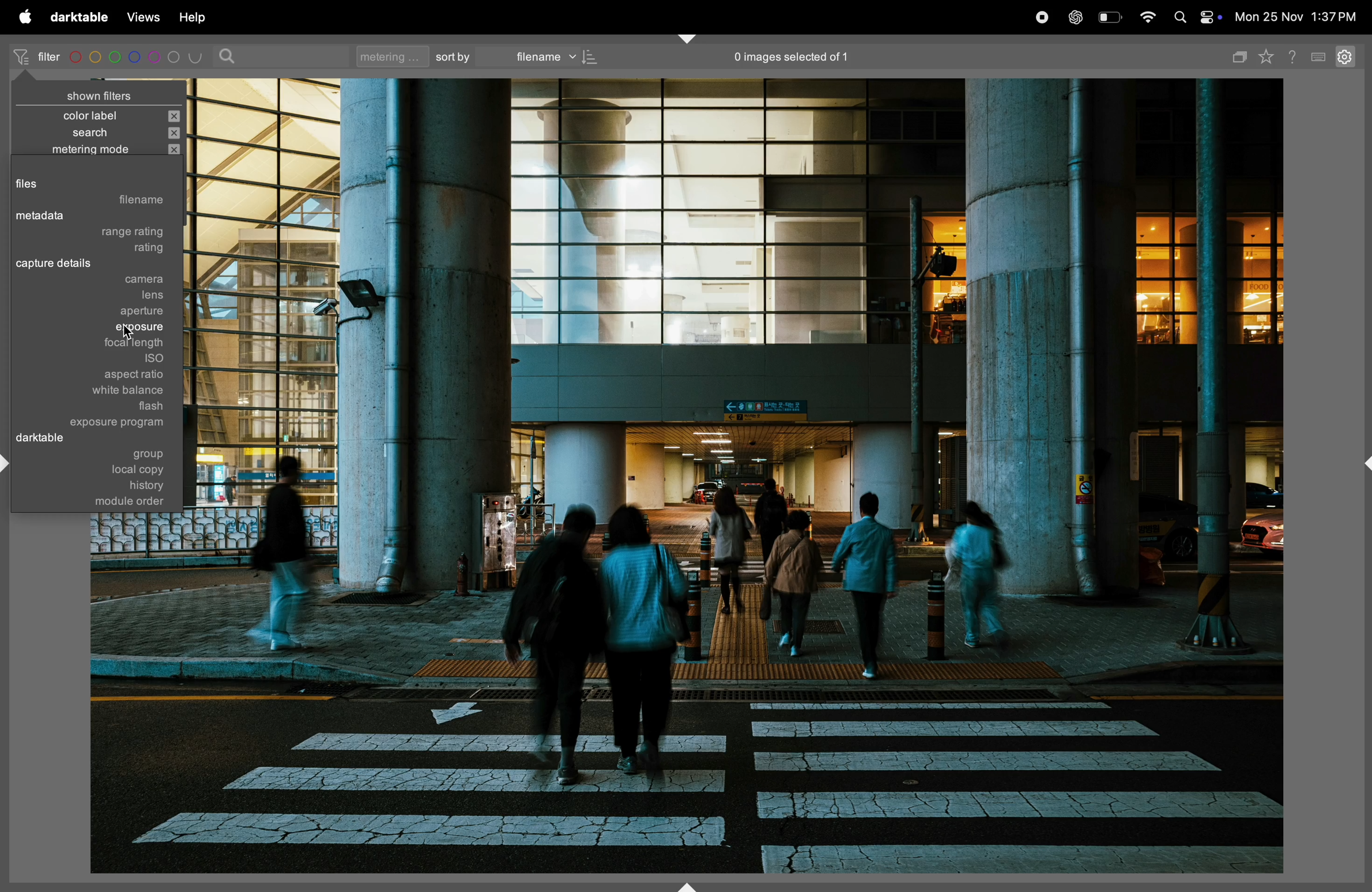  I want to click on metering mode, so click(96, 151).